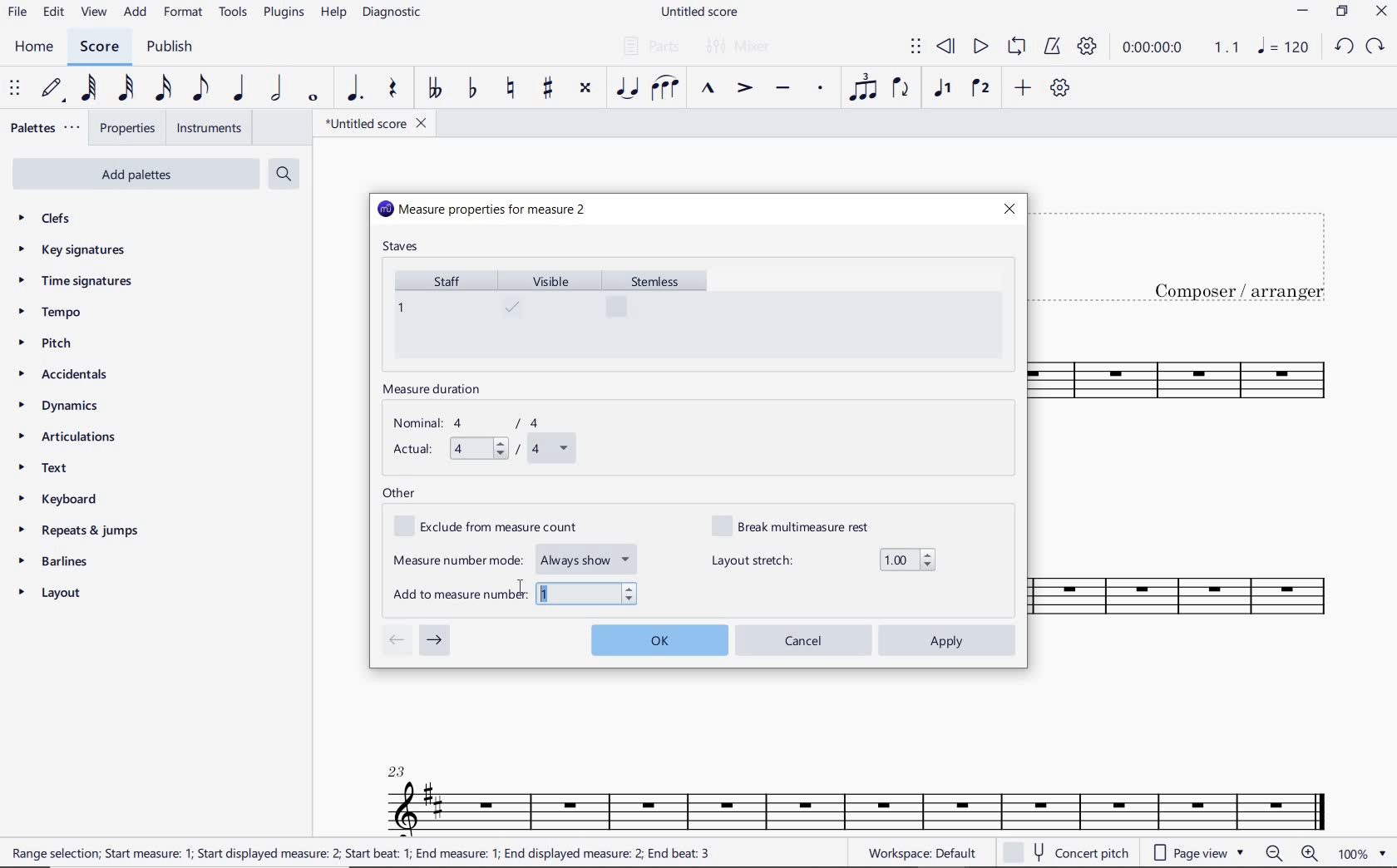 Image resolution: width=1397 pixels, height=868 pixels. Describe the element at coordinates (126, 131) in the screenshot. I see `PROPERTIES` at that location.